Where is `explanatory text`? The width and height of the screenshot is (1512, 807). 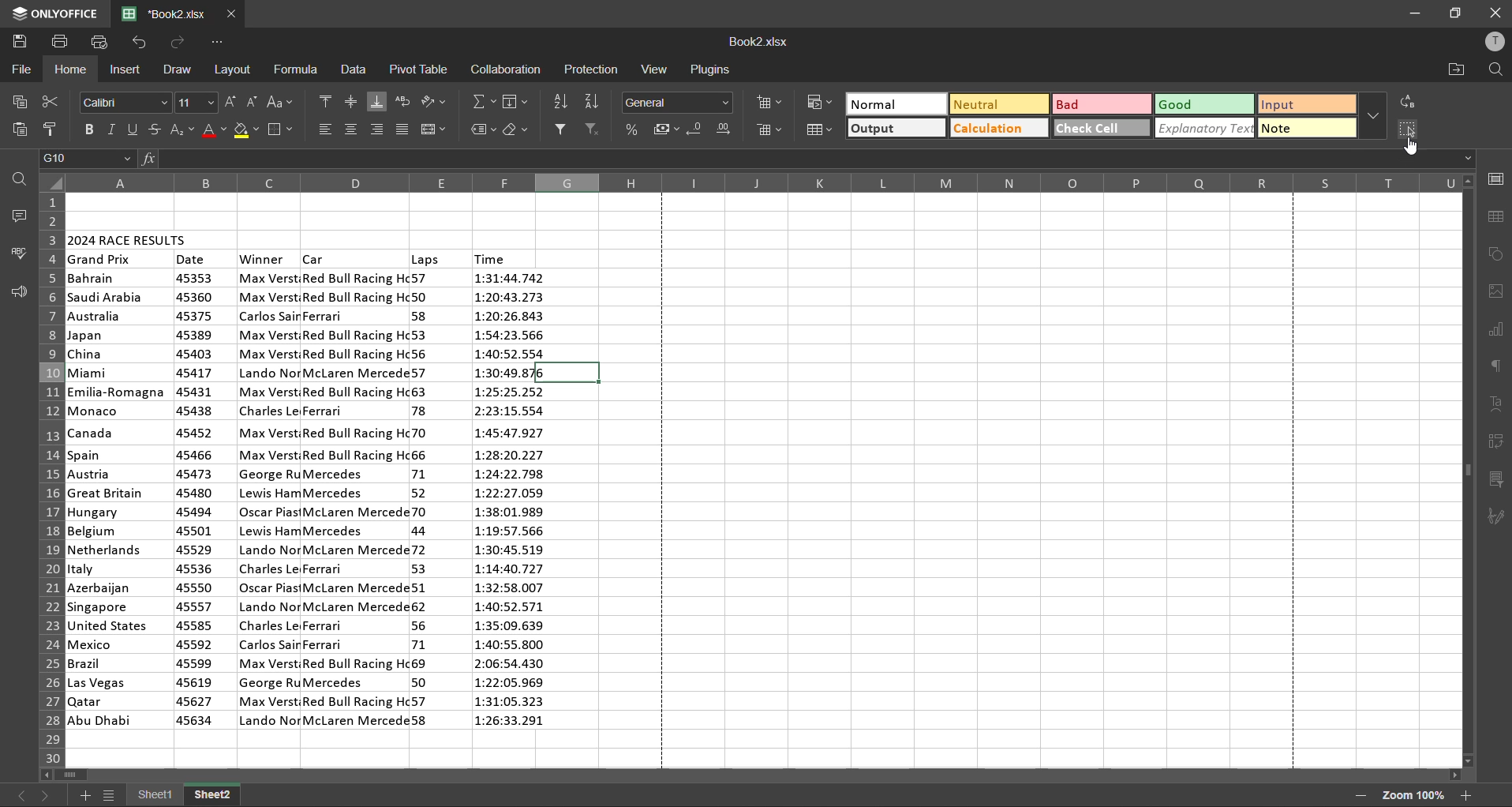 explanatory text is located at coordinates (1207, 128).